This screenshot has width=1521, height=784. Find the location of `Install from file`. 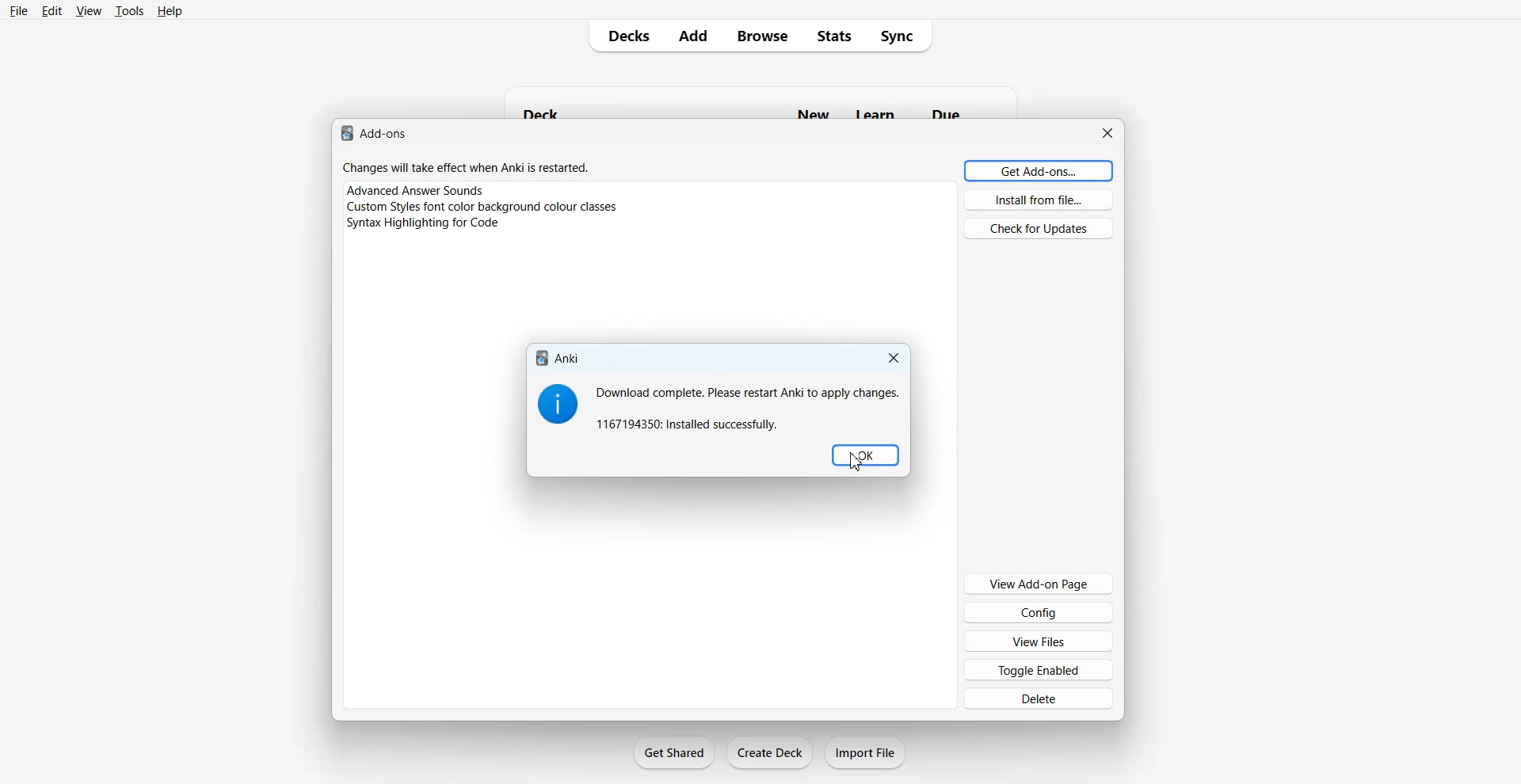

Install from file is located at coordinates (1040, 200).